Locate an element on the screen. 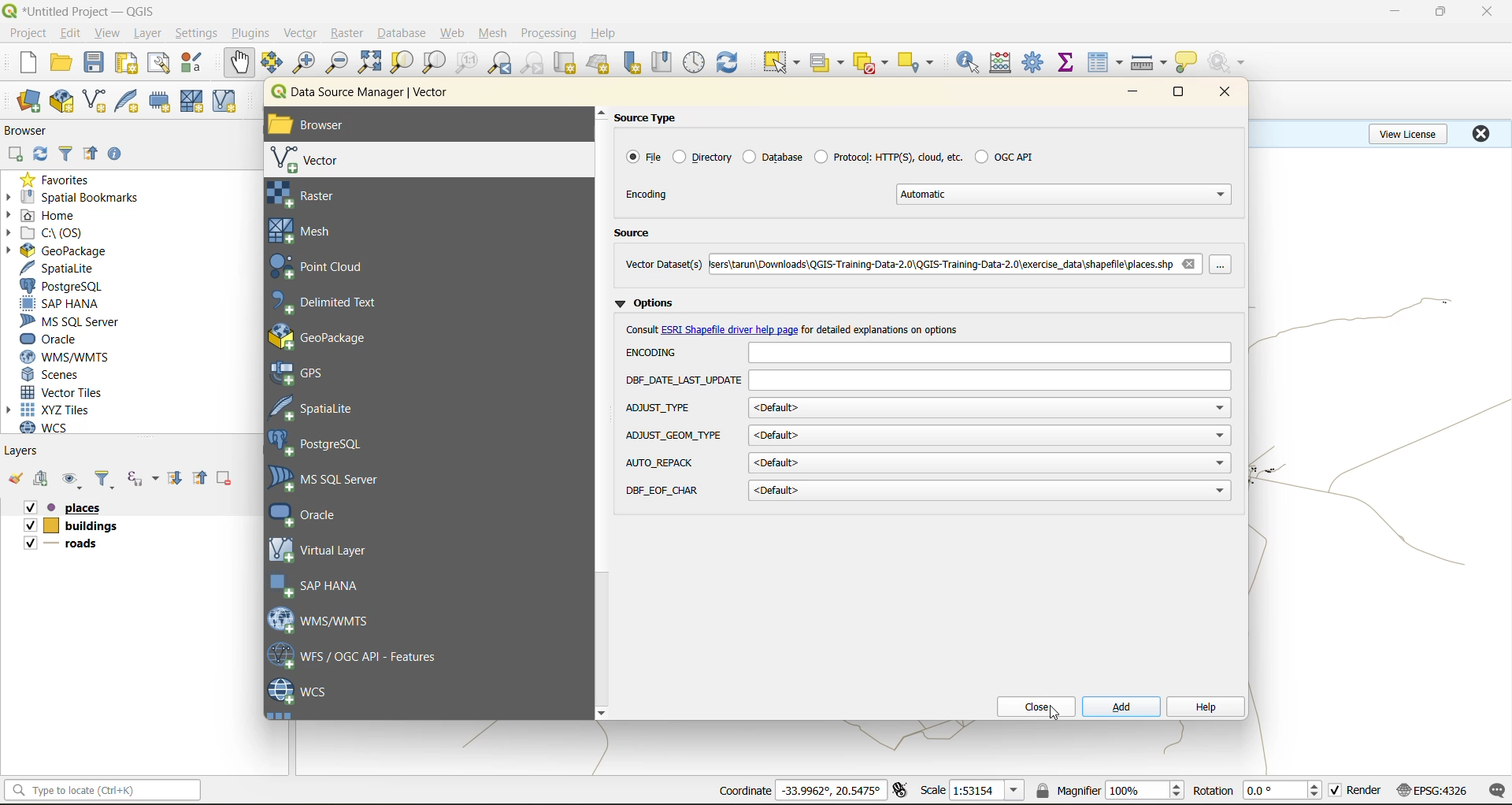 The height and width of the screenshot is (805, 1512). database is located at coordinates (772, 156).